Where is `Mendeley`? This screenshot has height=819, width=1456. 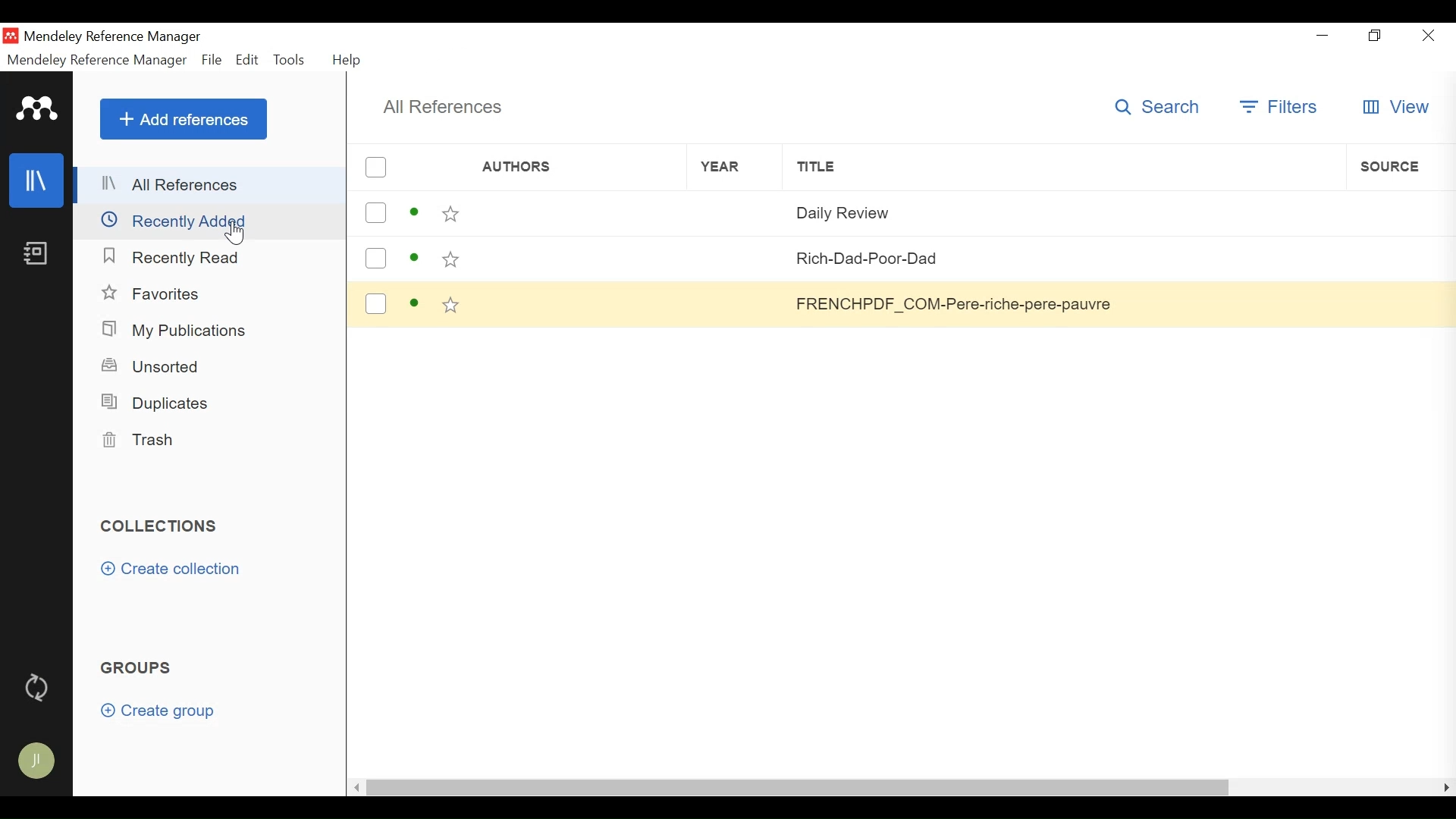
Mendeley is located at coordinates (37, 108).